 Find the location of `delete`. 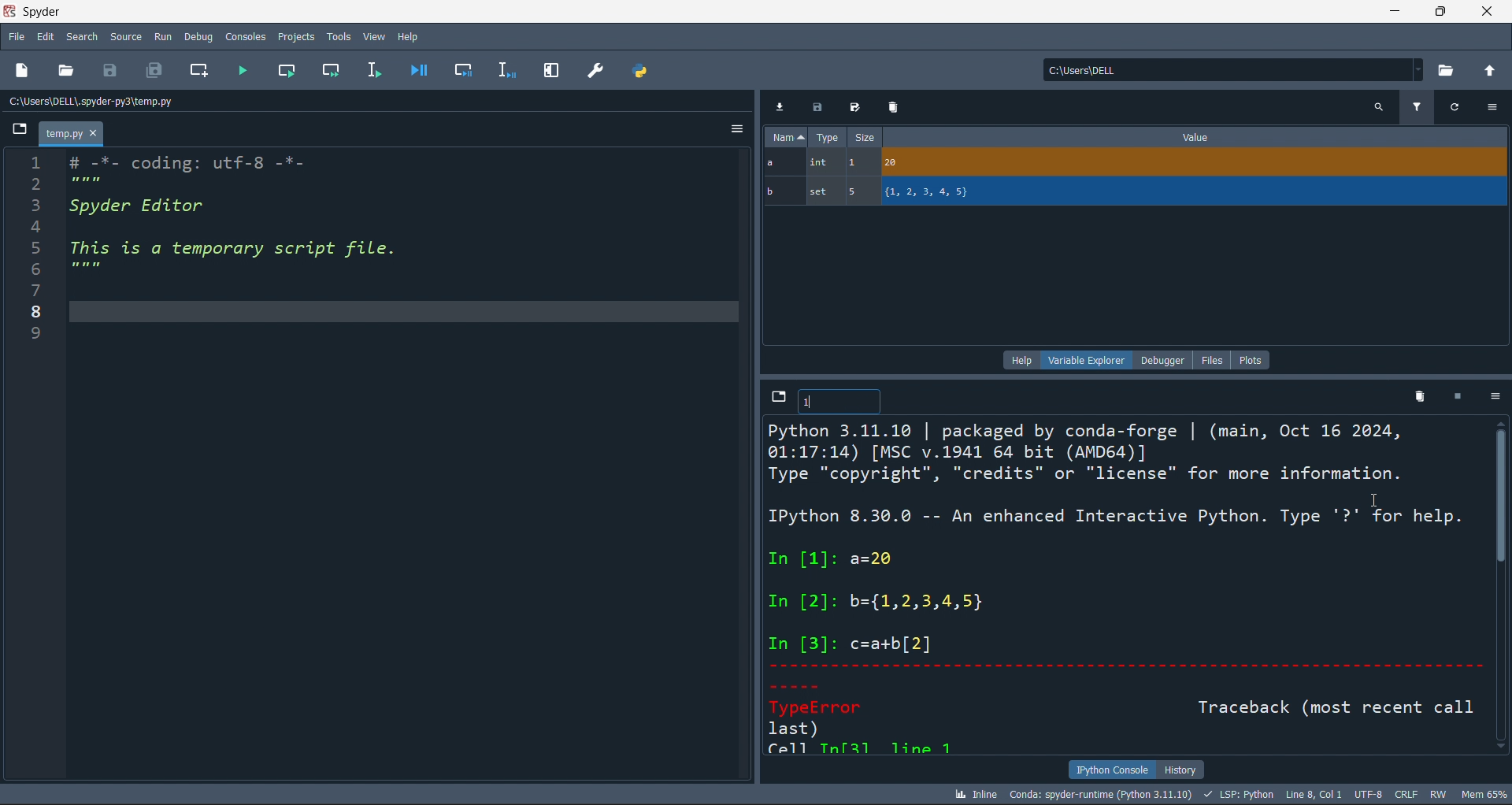

delete is located at coordinates (892, 106).